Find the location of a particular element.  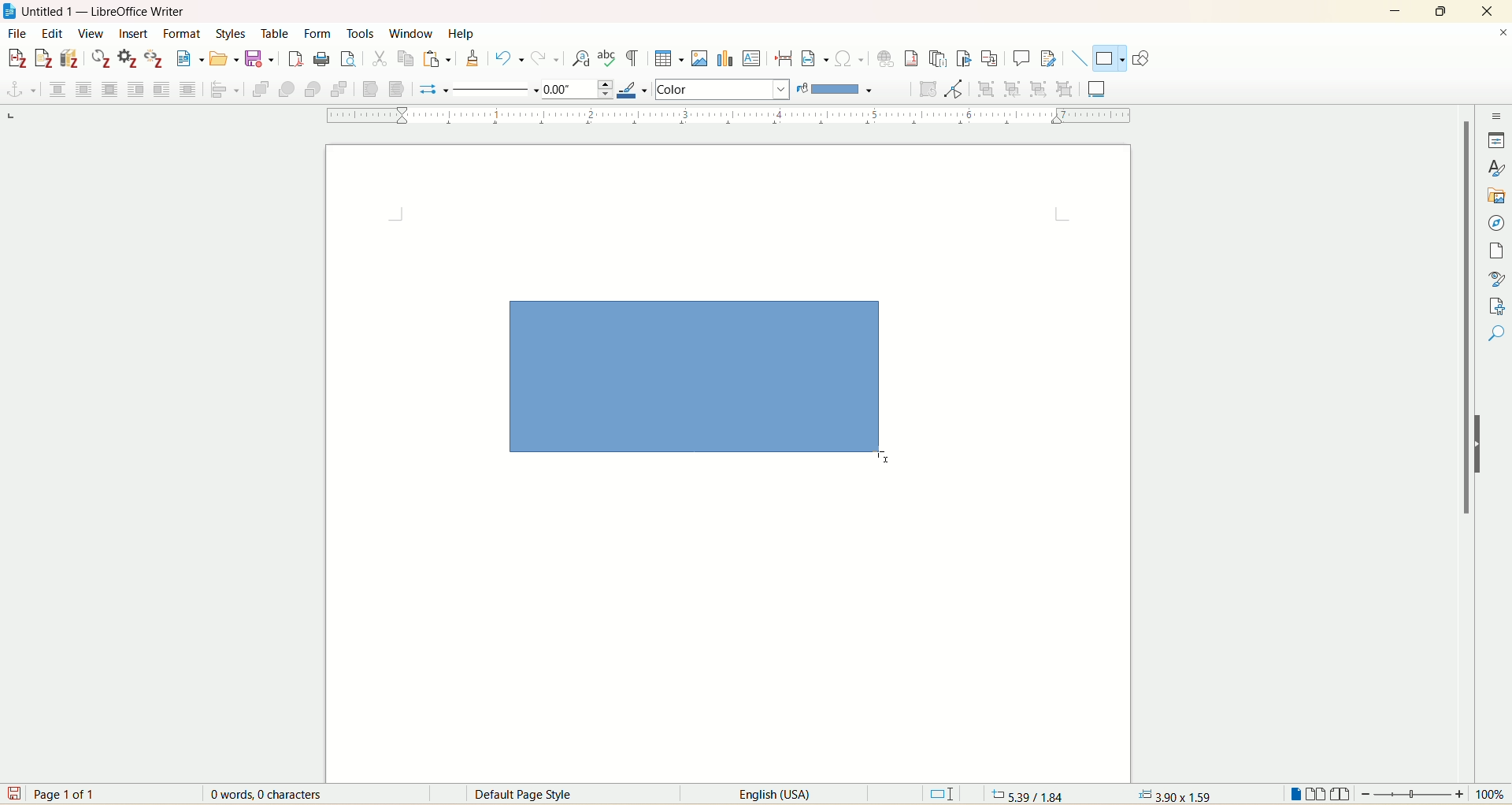

cut is located at coordinates (379, 61).